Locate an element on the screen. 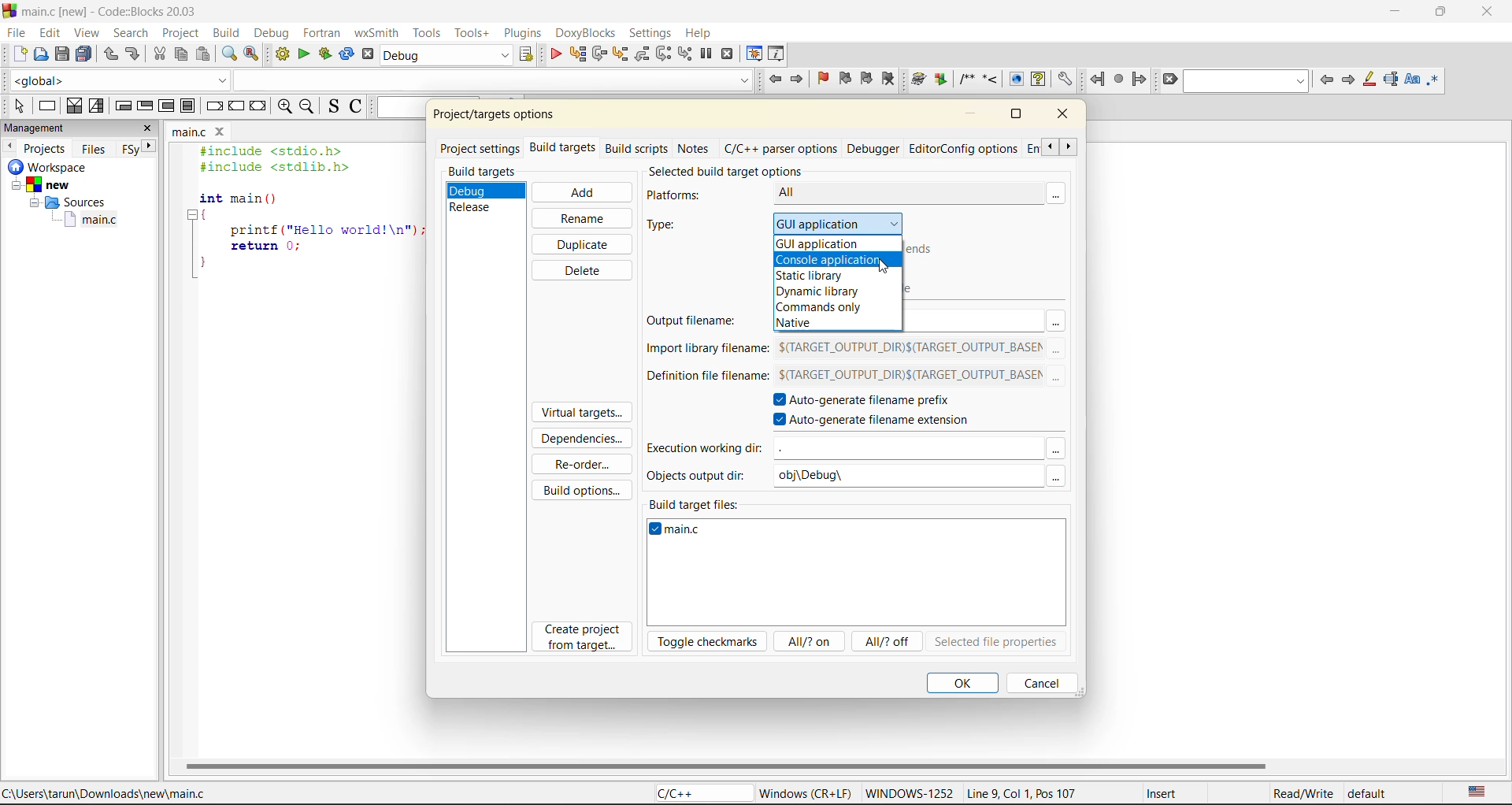  native is located at coordinates (802, 325).